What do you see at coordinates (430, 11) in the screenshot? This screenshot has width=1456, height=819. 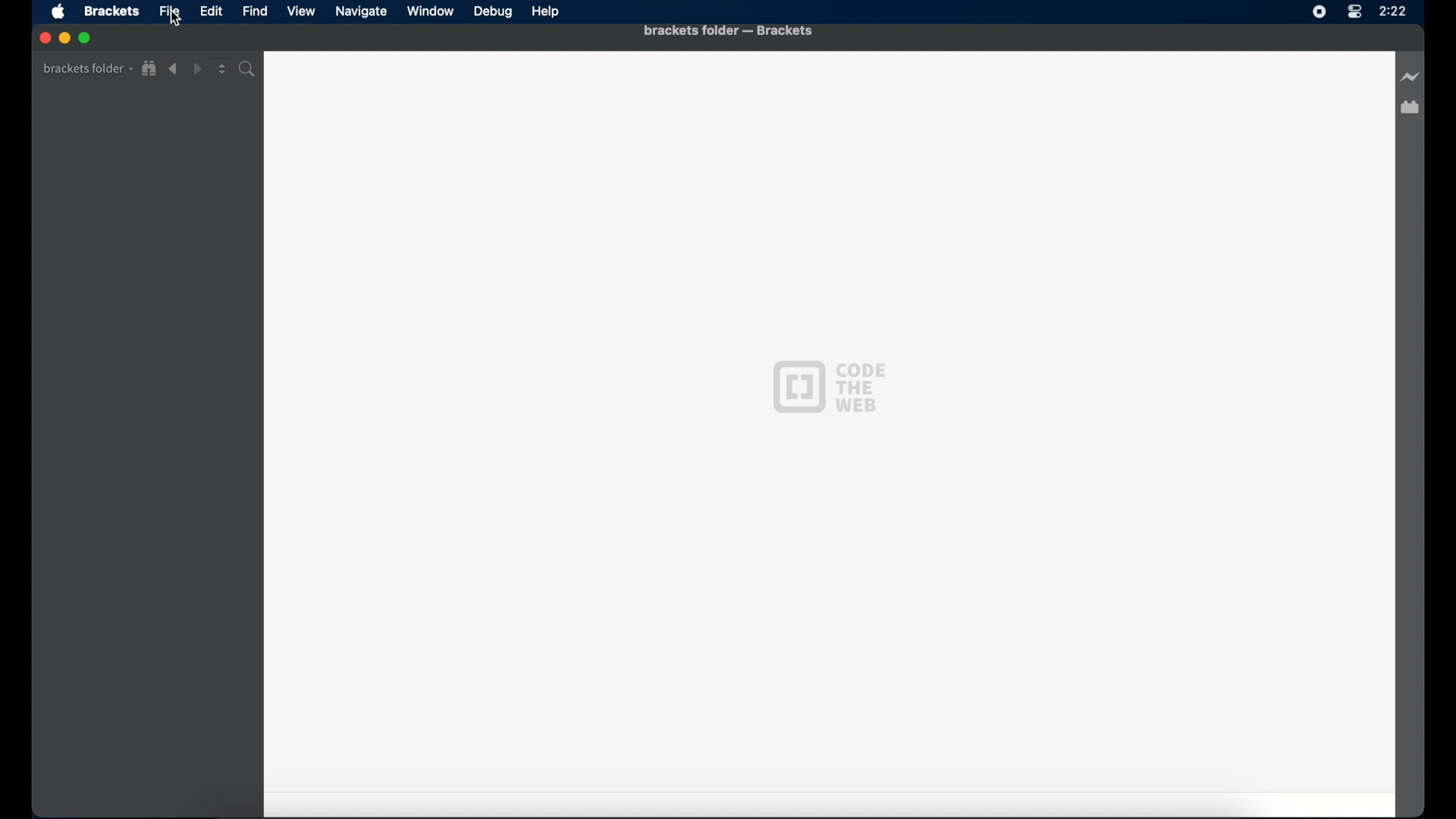 I see `window` at bounding box center [430, 11].